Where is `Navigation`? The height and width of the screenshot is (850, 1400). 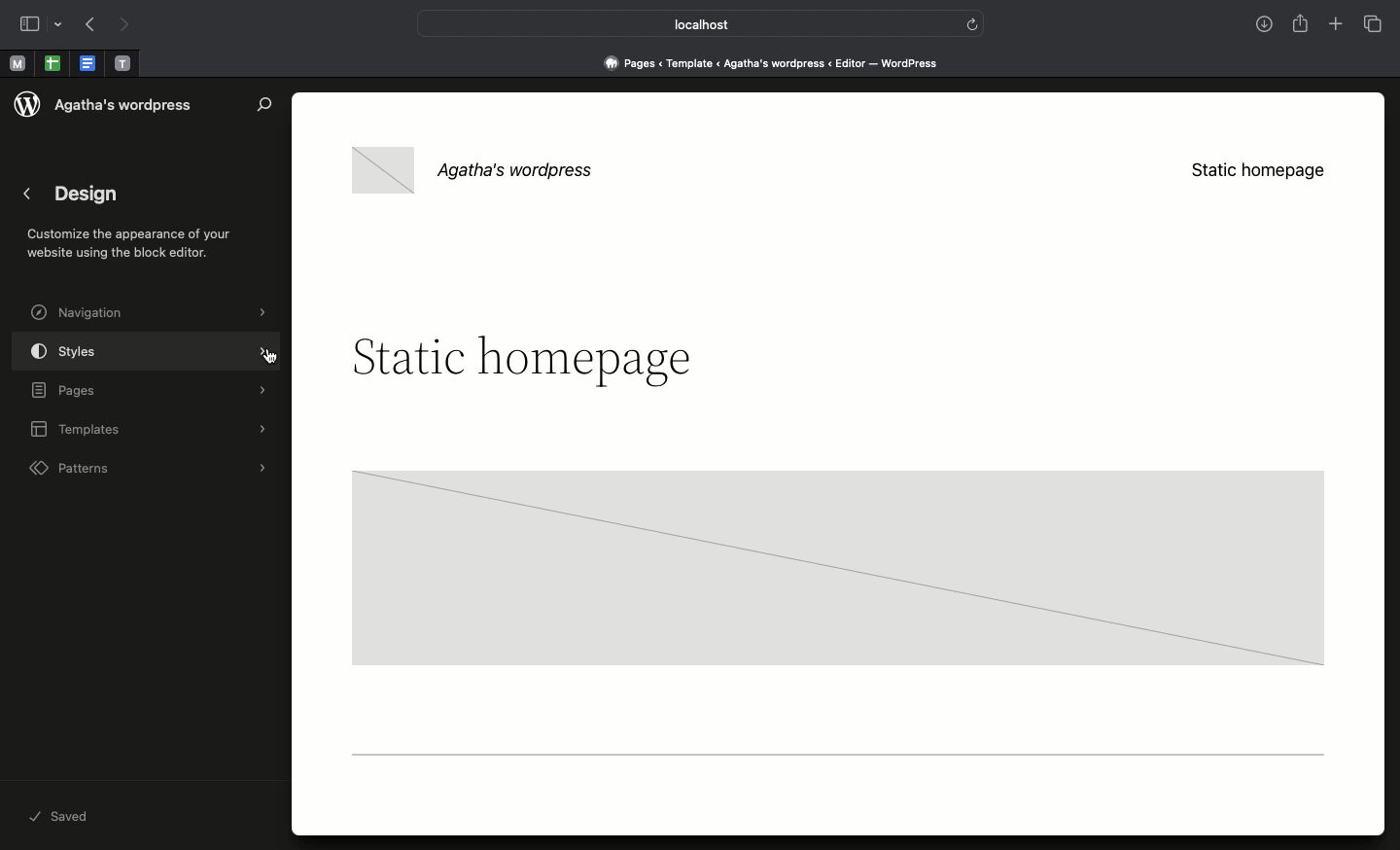 Navigation is located at coordinates (148, 313).